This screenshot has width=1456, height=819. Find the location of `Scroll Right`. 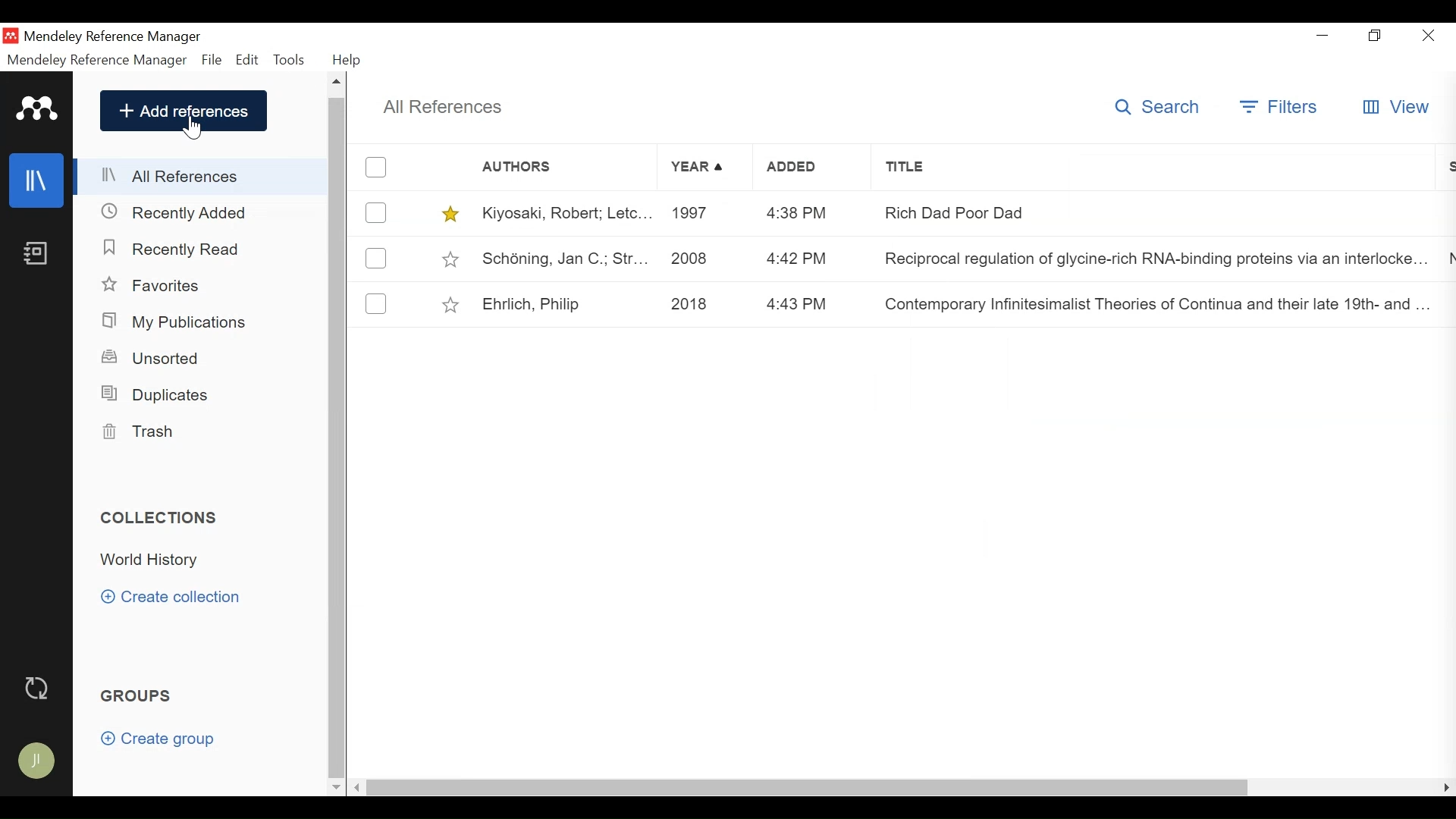

Scroll Right is located at coordinates (360, 786).